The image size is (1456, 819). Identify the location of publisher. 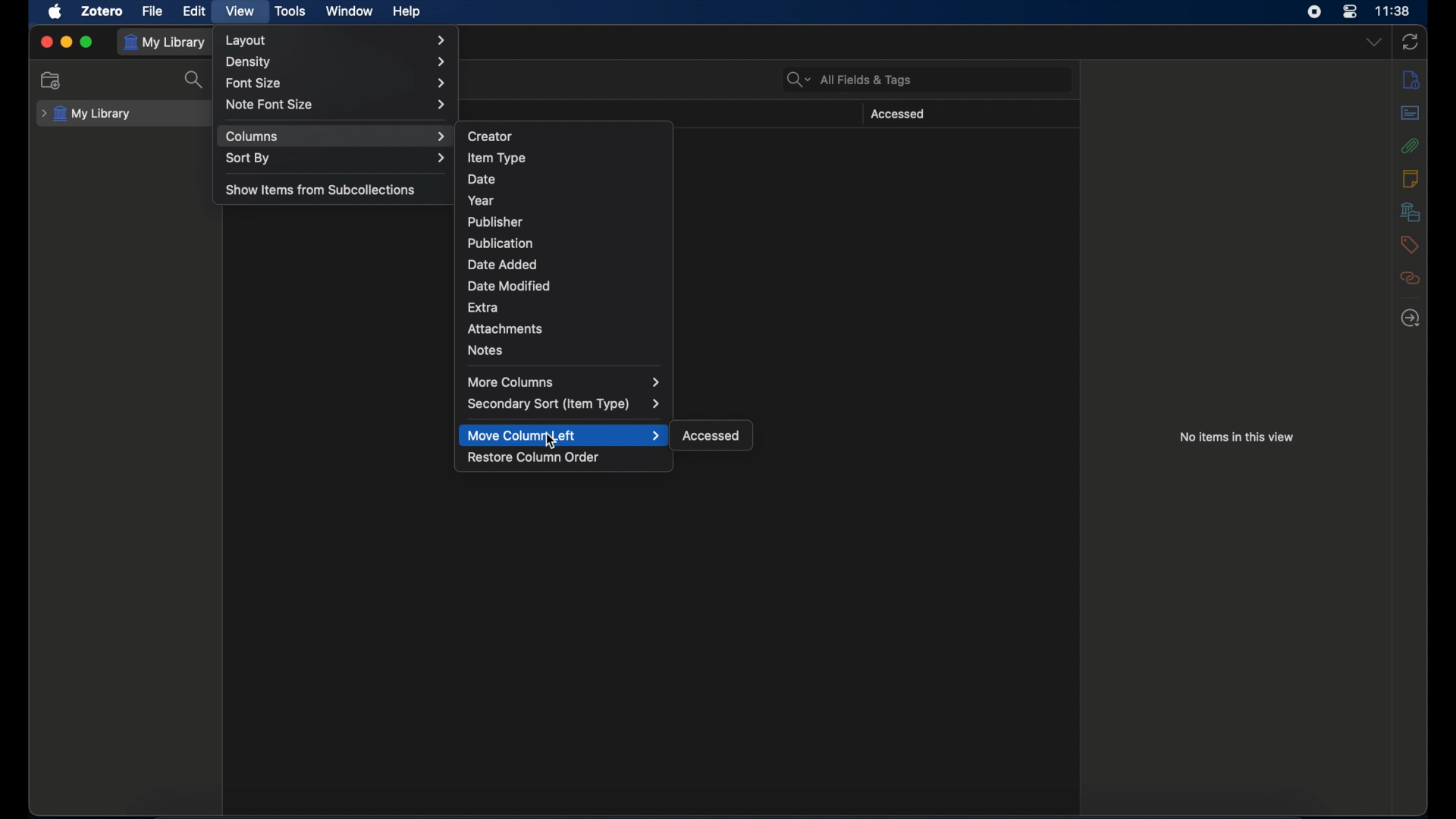
(493, 222).